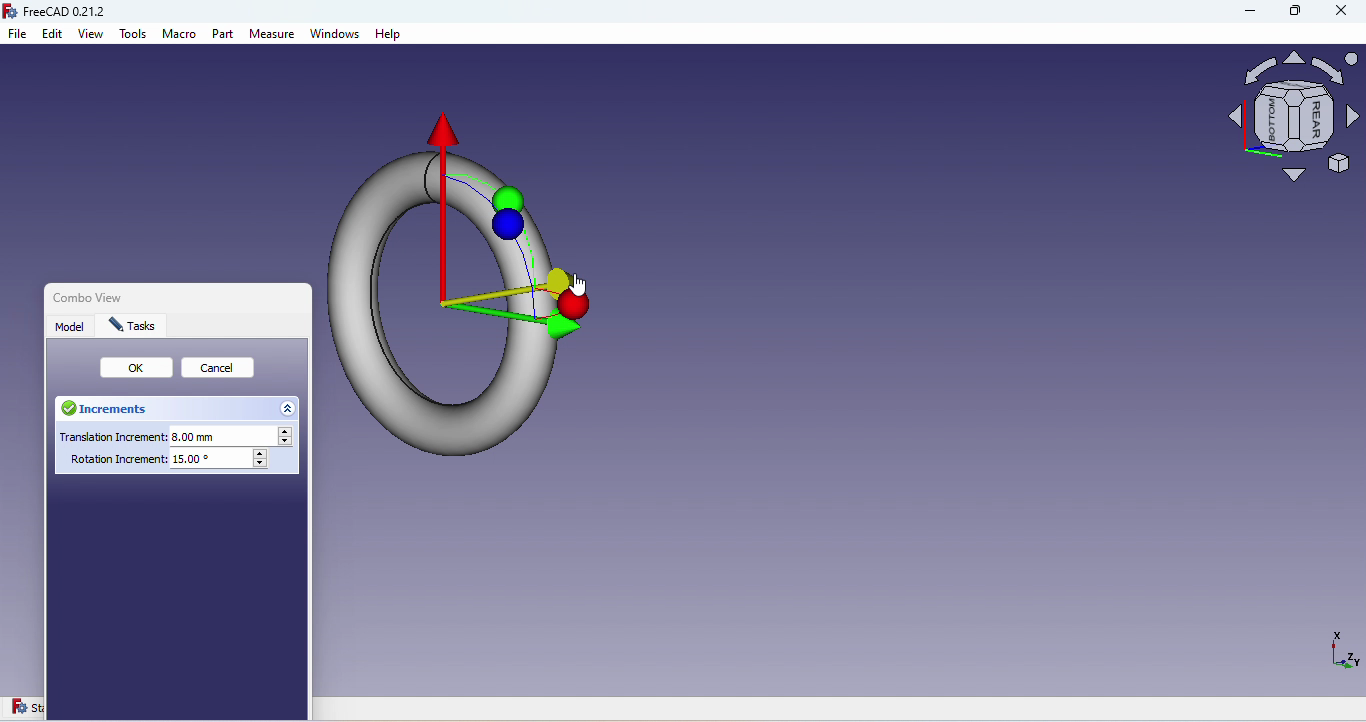  What do you see at coordinates (1294, 122) in the screenshot?
I see `Navigation square` at bounding box center [1294, 122].